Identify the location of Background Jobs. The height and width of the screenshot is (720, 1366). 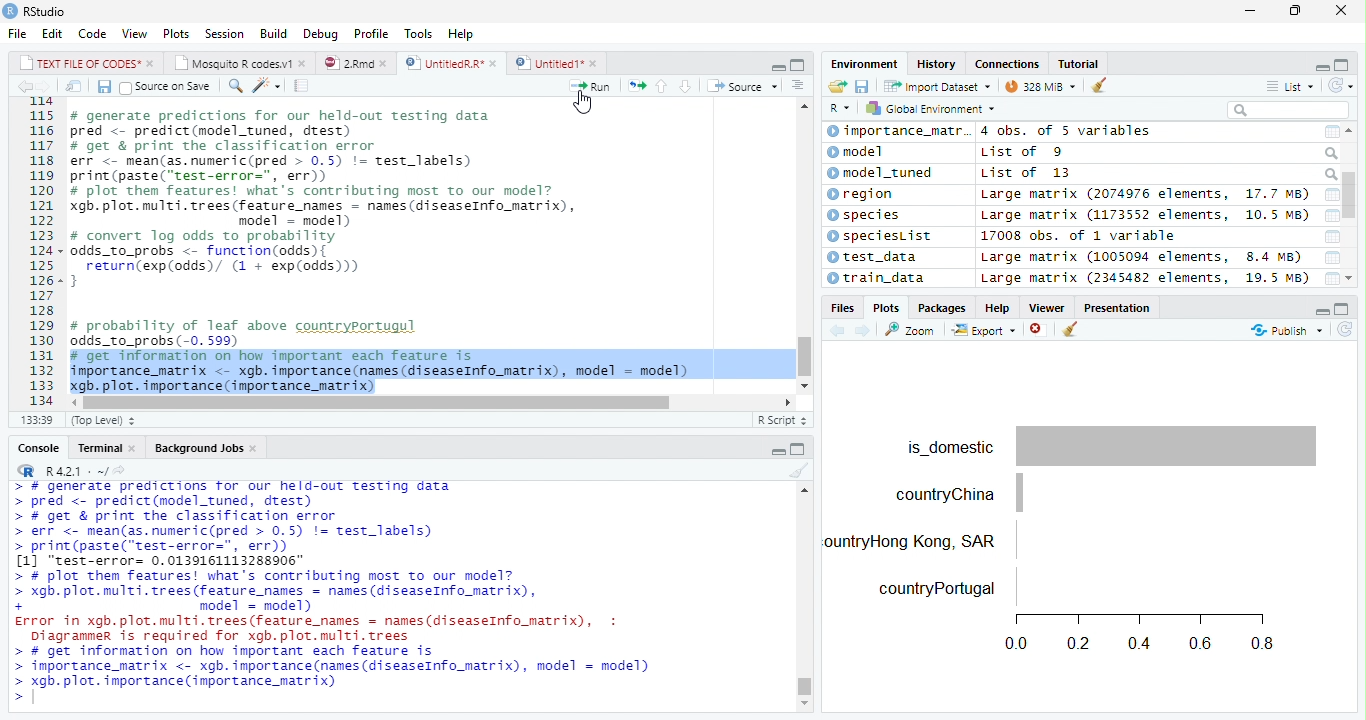
(206, 447).